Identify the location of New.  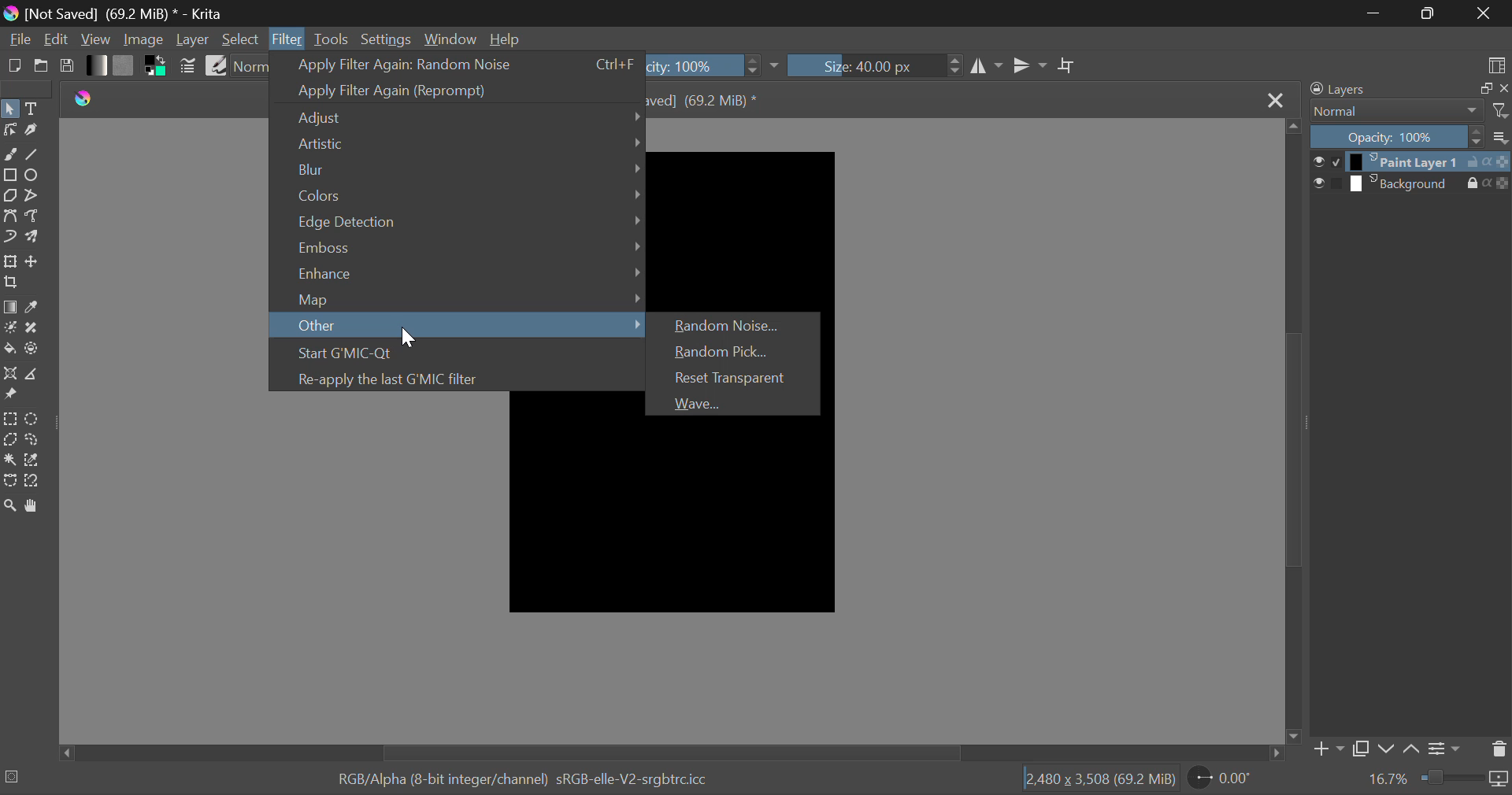
(13, 66).